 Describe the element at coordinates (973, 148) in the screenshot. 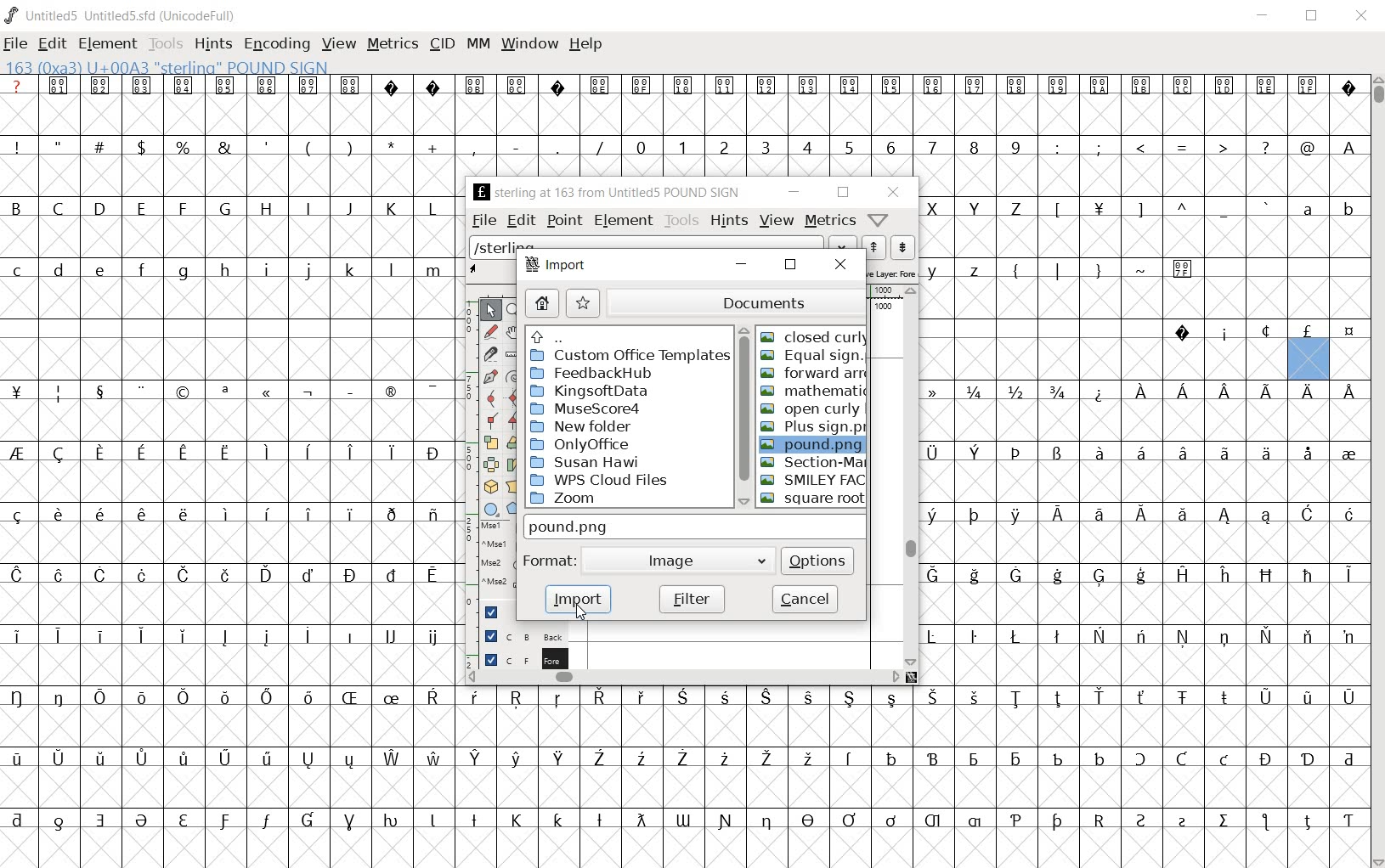

I see `8` at that location.